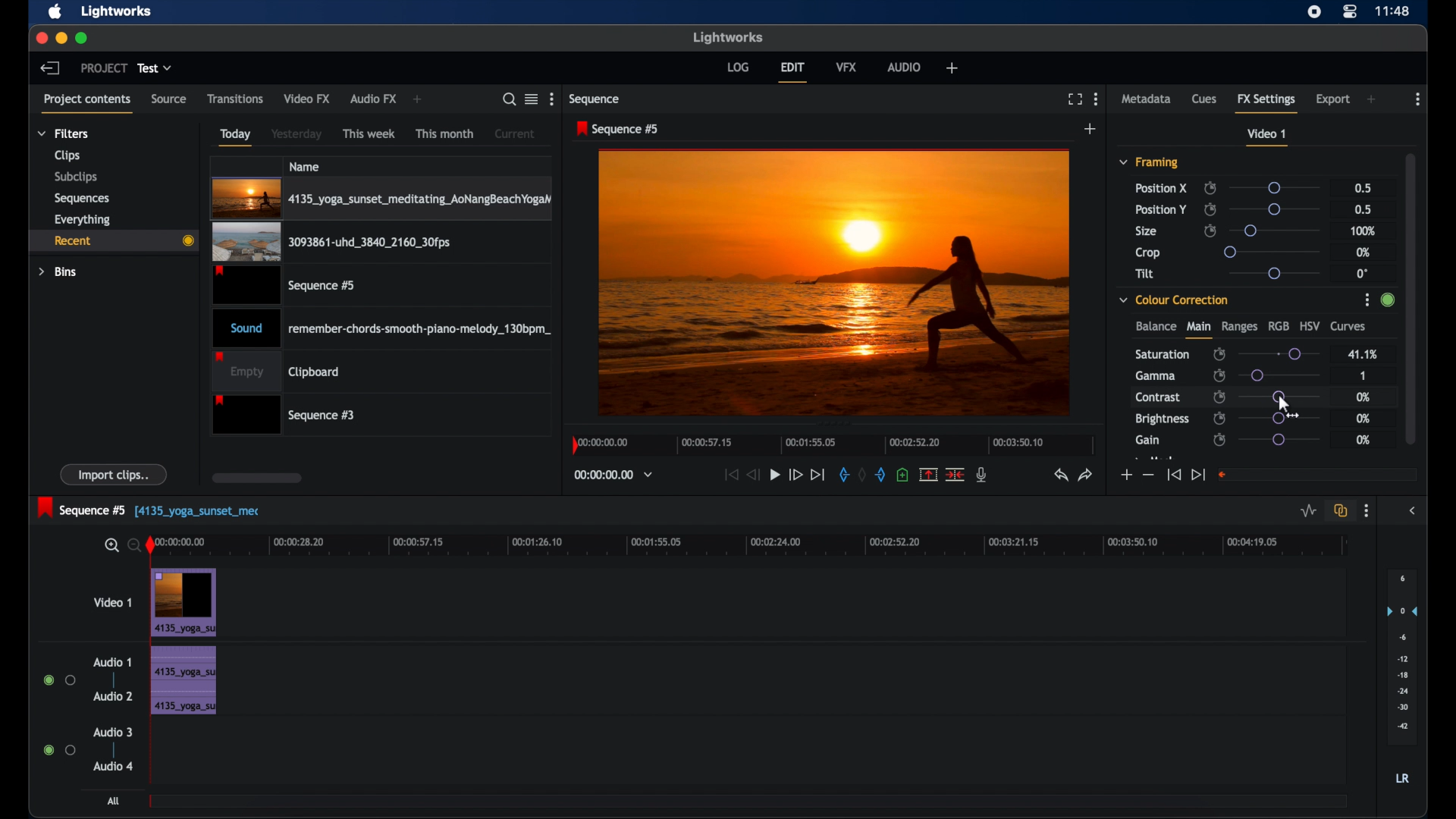 Image resolution: width=1456 pixels, height=819 pixels. Describe the element at coordinates (297, 134) in the screenshot. I see `yesterday` at that location.